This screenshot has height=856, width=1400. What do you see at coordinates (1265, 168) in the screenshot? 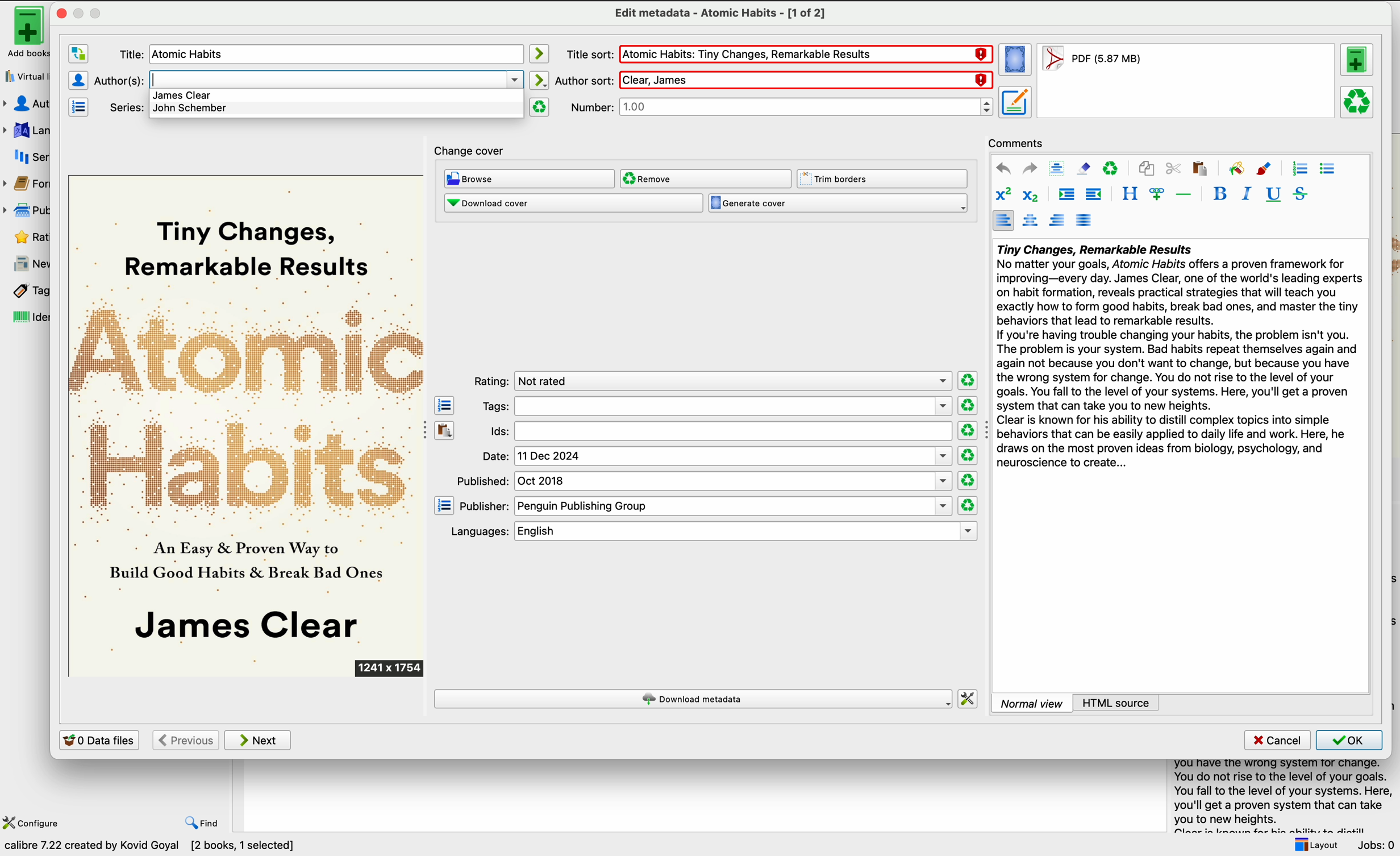
I see `foreground color` at bounding box center [1265, 168].